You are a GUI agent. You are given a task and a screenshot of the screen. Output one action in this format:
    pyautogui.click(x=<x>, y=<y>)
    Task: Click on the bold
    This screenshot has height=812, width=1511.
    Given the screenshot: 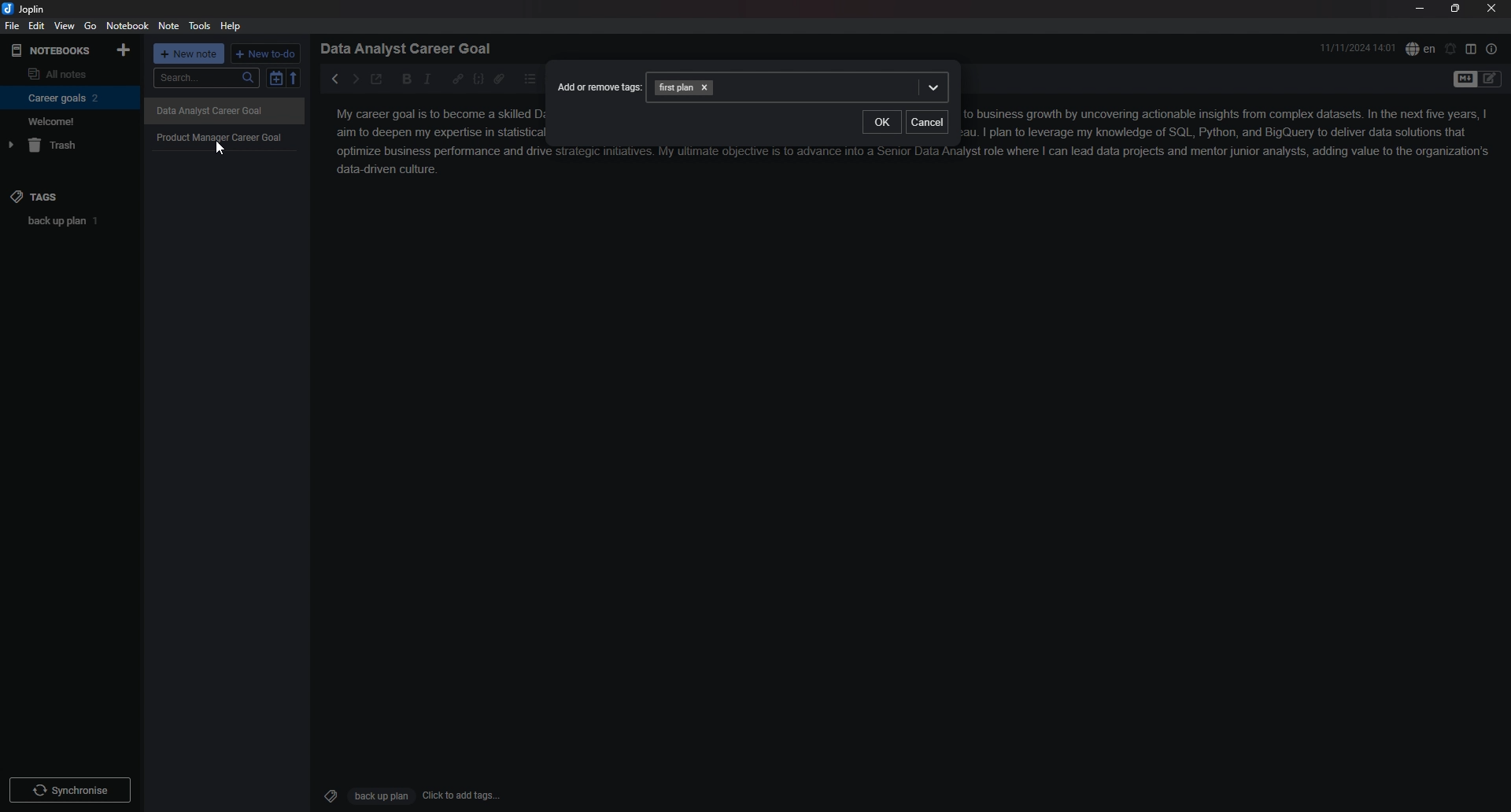 What is the action you would take?
    pyautogui.click(x=408, y=79)
    